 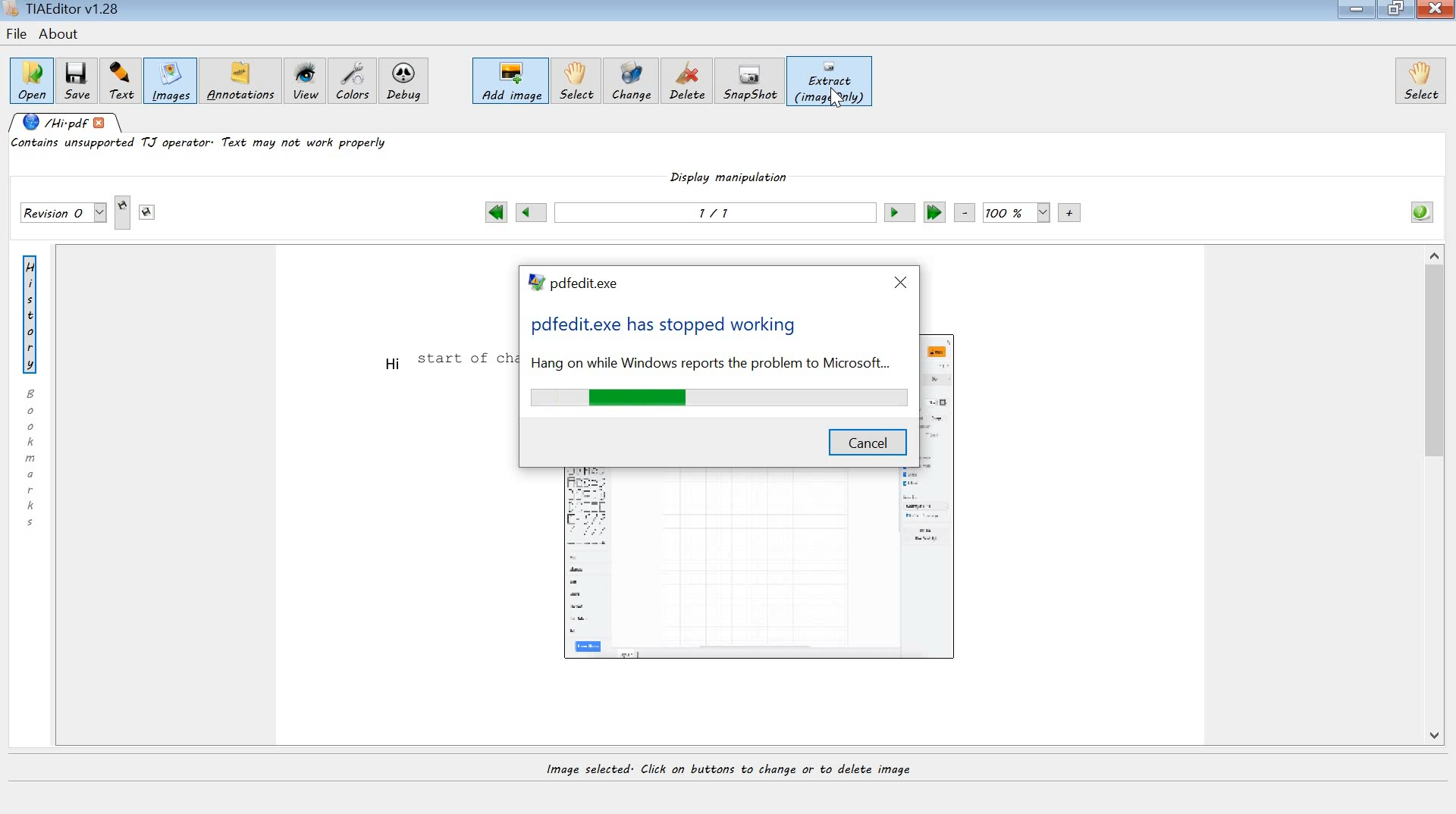 What do you see at coordinates (1436, 499) in the screenshot?
I see `scrollbar` at bounding box center [1436, 499].